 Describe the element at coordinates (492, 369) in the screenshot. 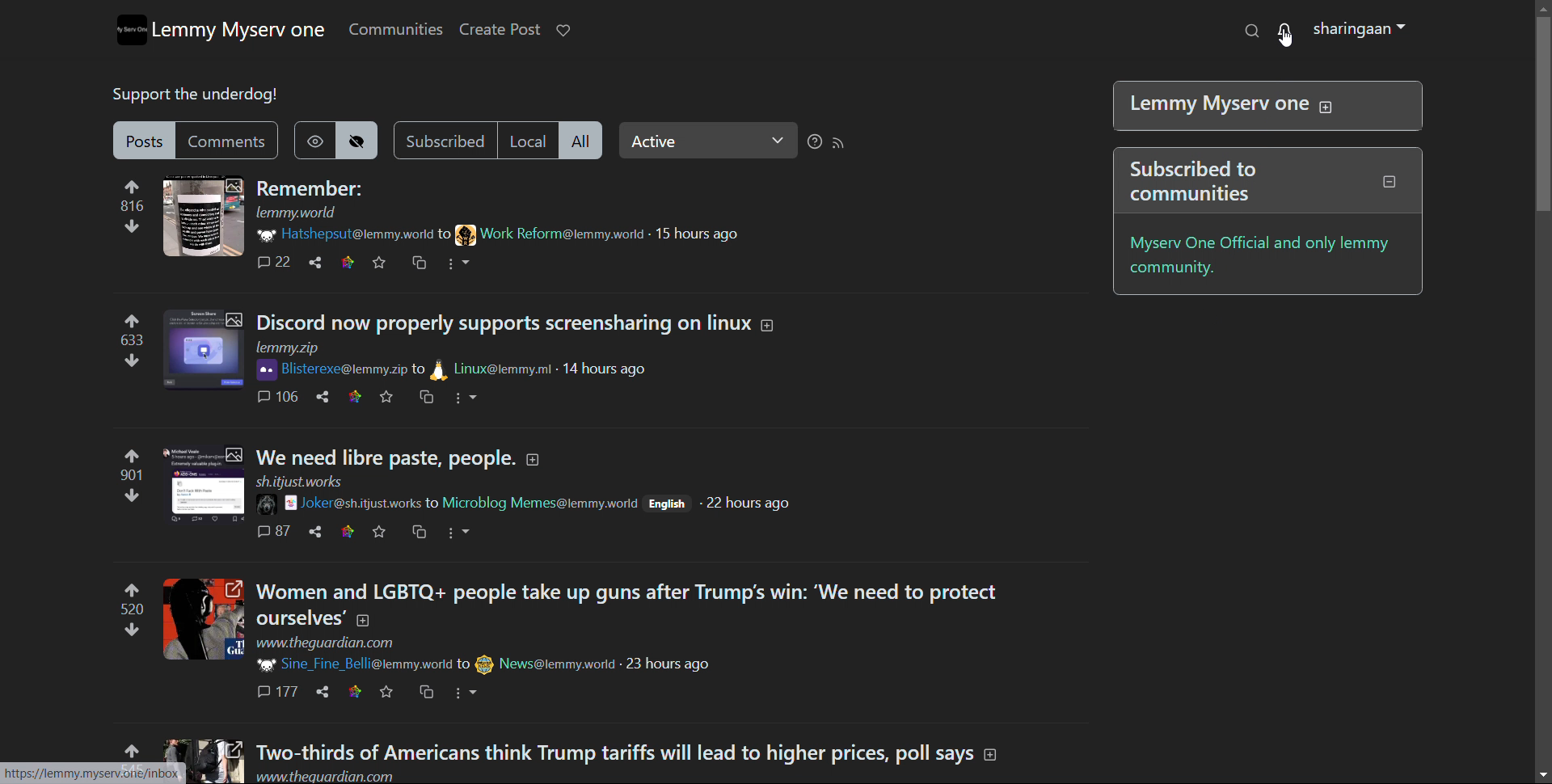

I see `community` at that location.